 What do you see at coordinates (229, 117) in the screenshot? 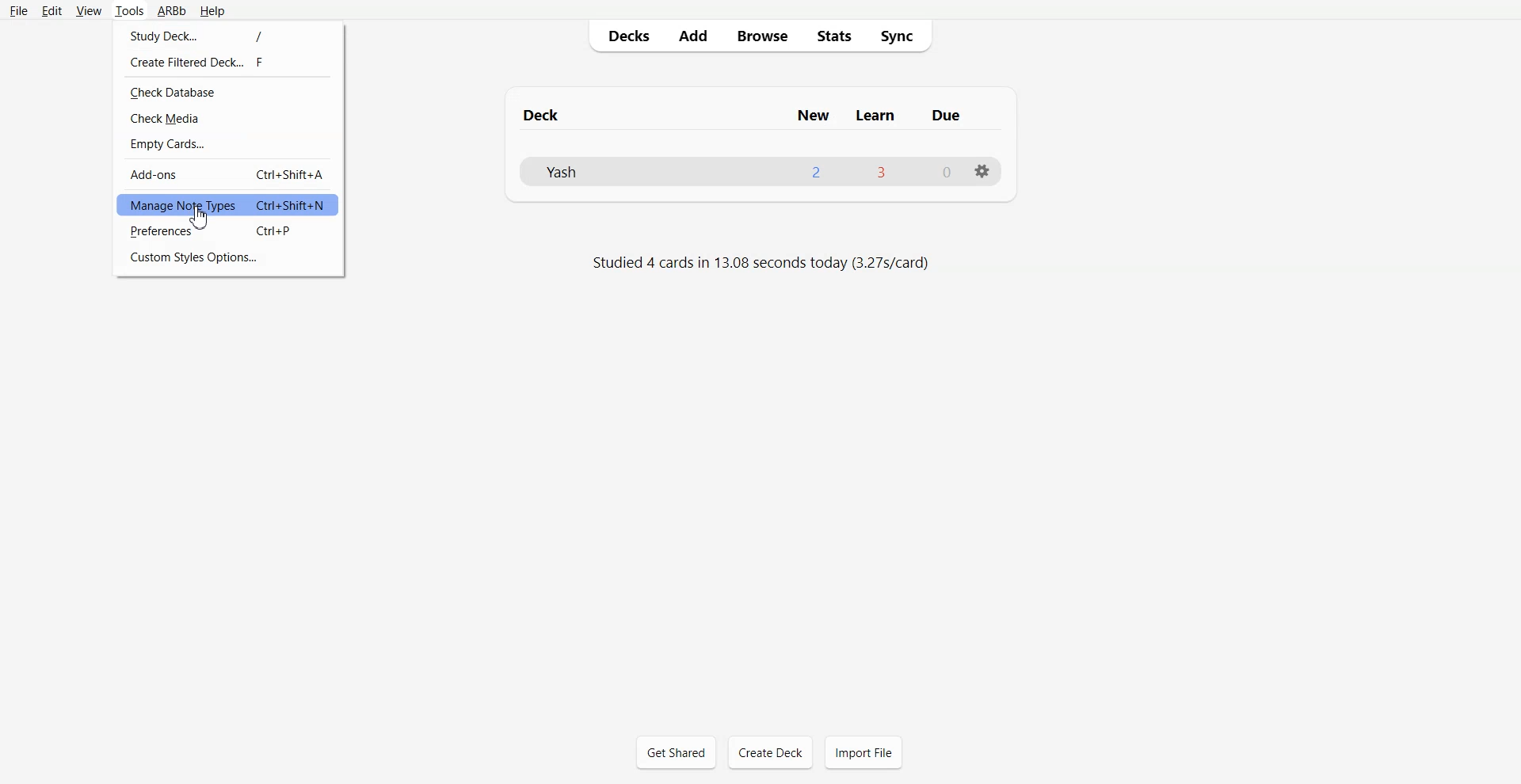
I see `Check Media` at bounding box center [229, 117].